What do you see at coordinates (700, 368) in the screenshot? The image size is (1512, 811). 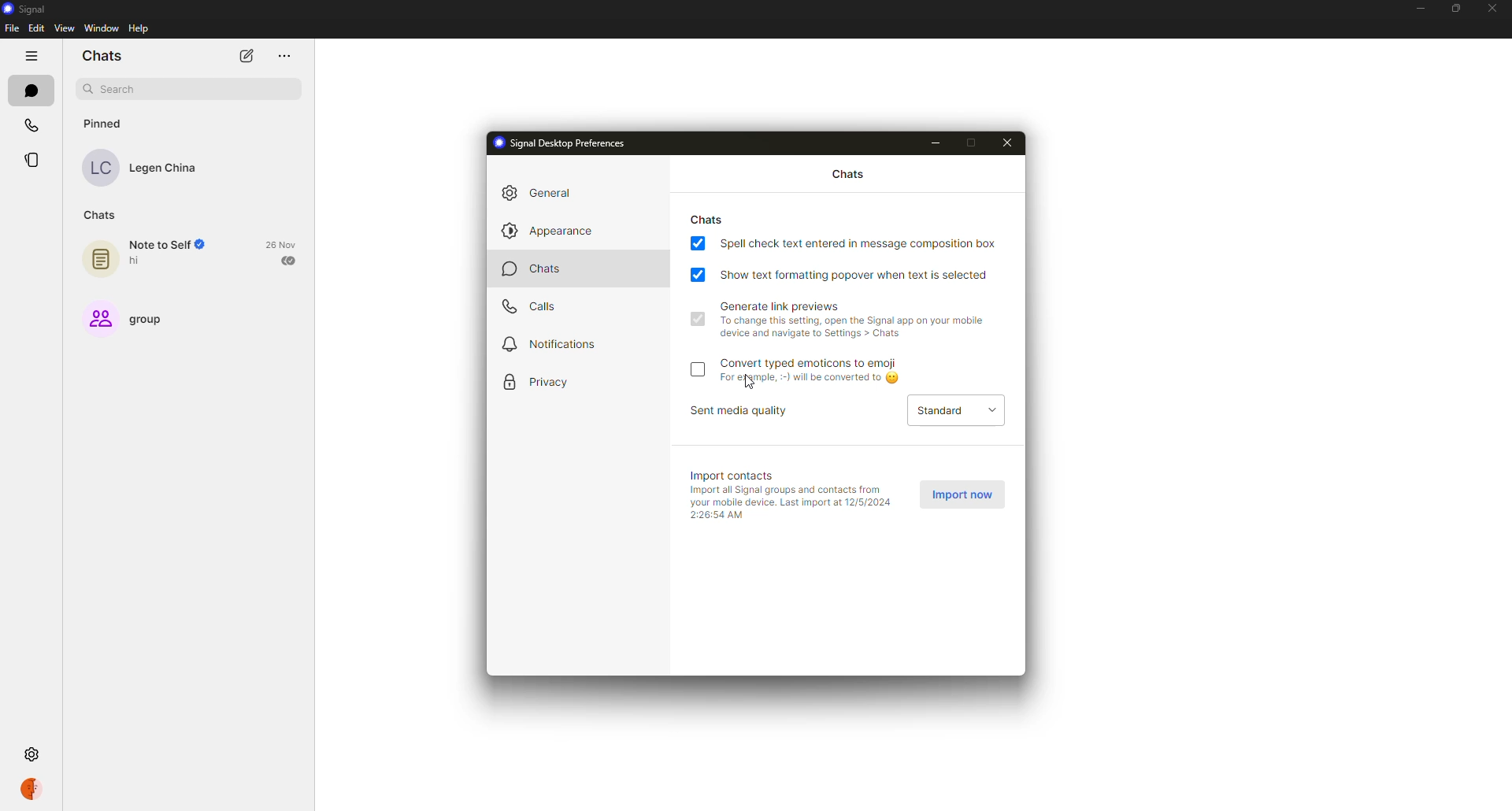 I see `disabled` at bounding box center [700, 368].